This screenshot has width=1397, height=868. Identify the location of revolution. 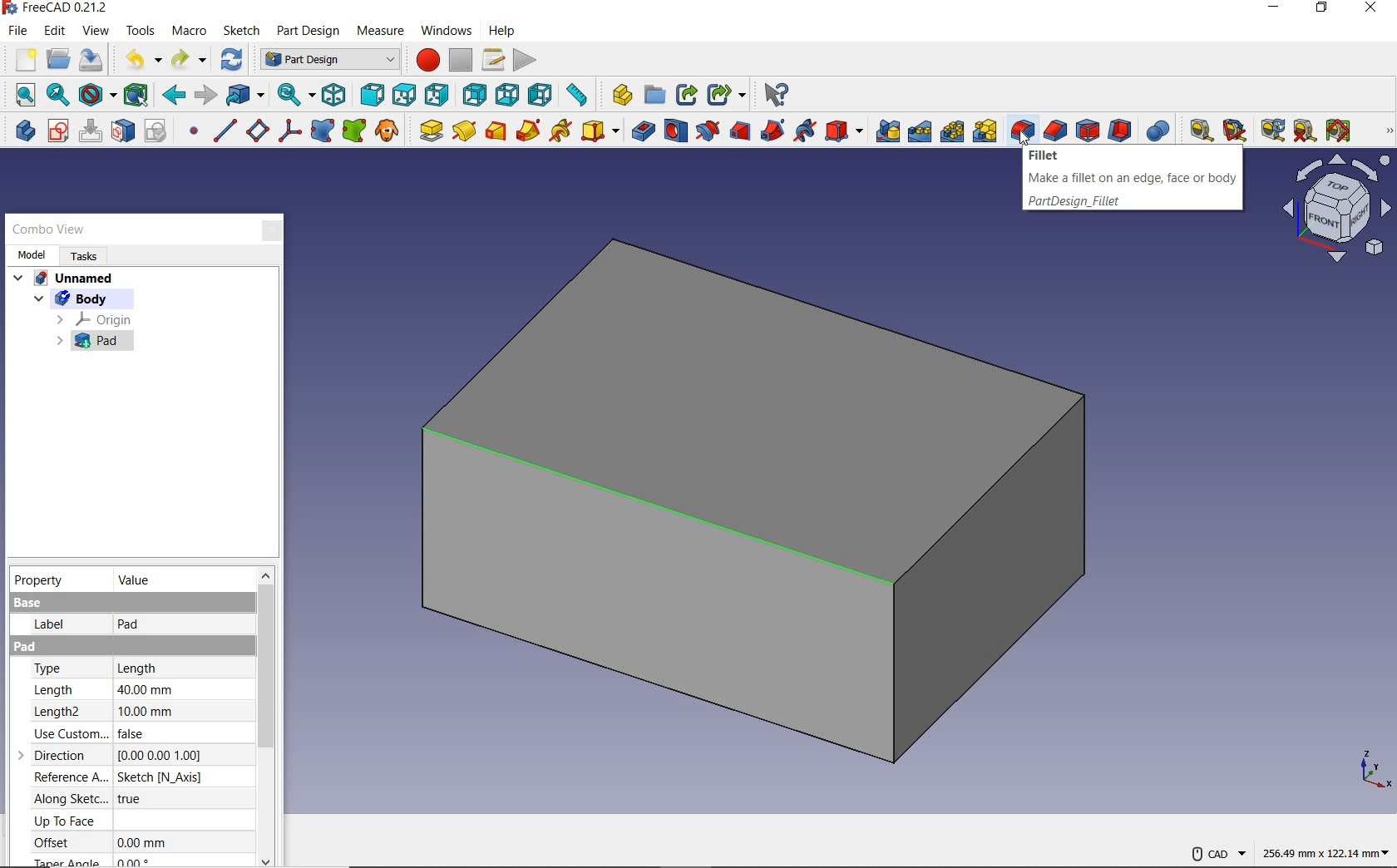
(466, 131).